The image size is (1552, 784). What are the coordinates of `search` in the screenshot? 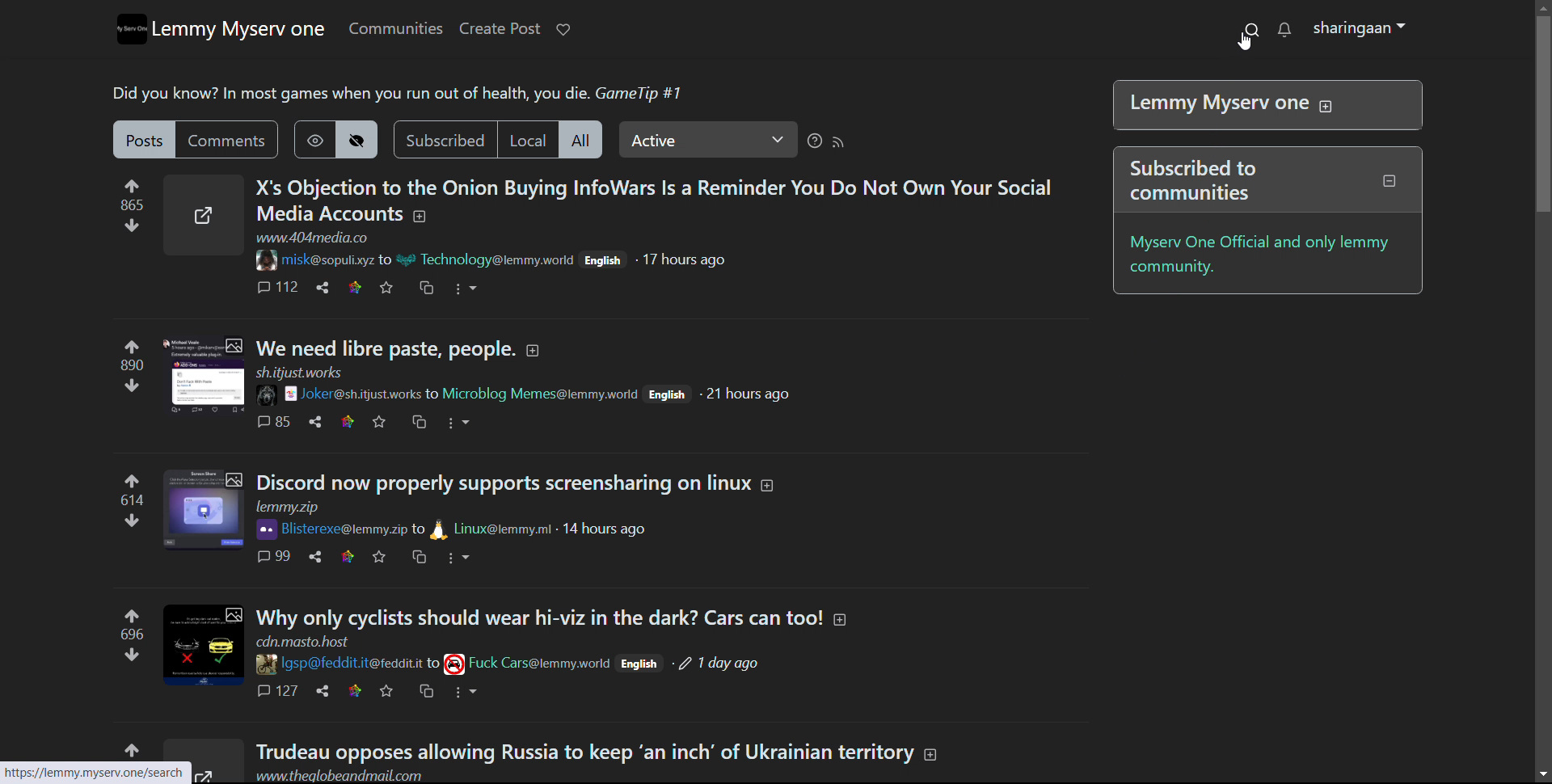 It's located at (1250, 28).